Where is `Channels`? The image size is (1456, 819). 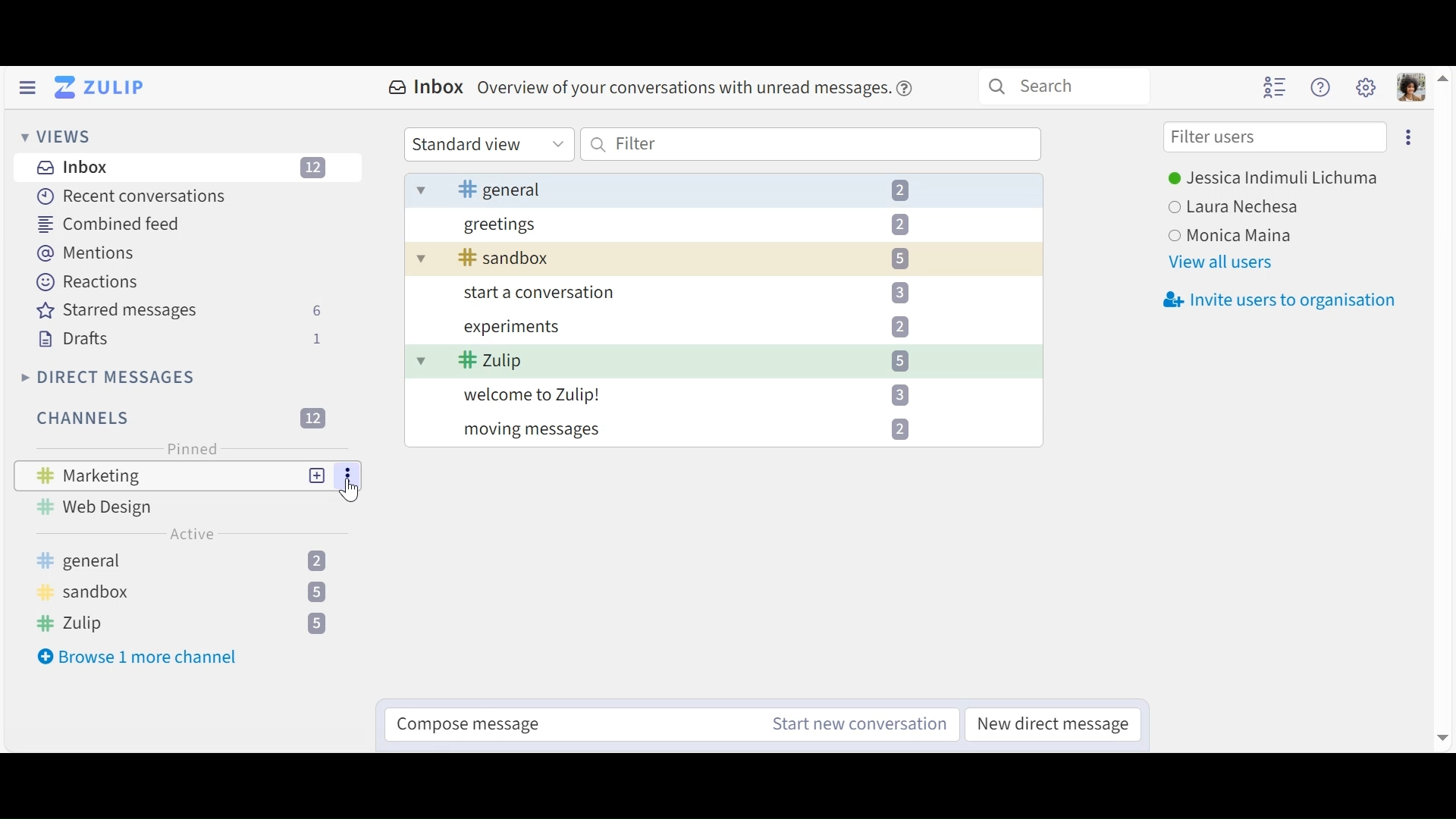
Channels is located at coordinates (192, 592).